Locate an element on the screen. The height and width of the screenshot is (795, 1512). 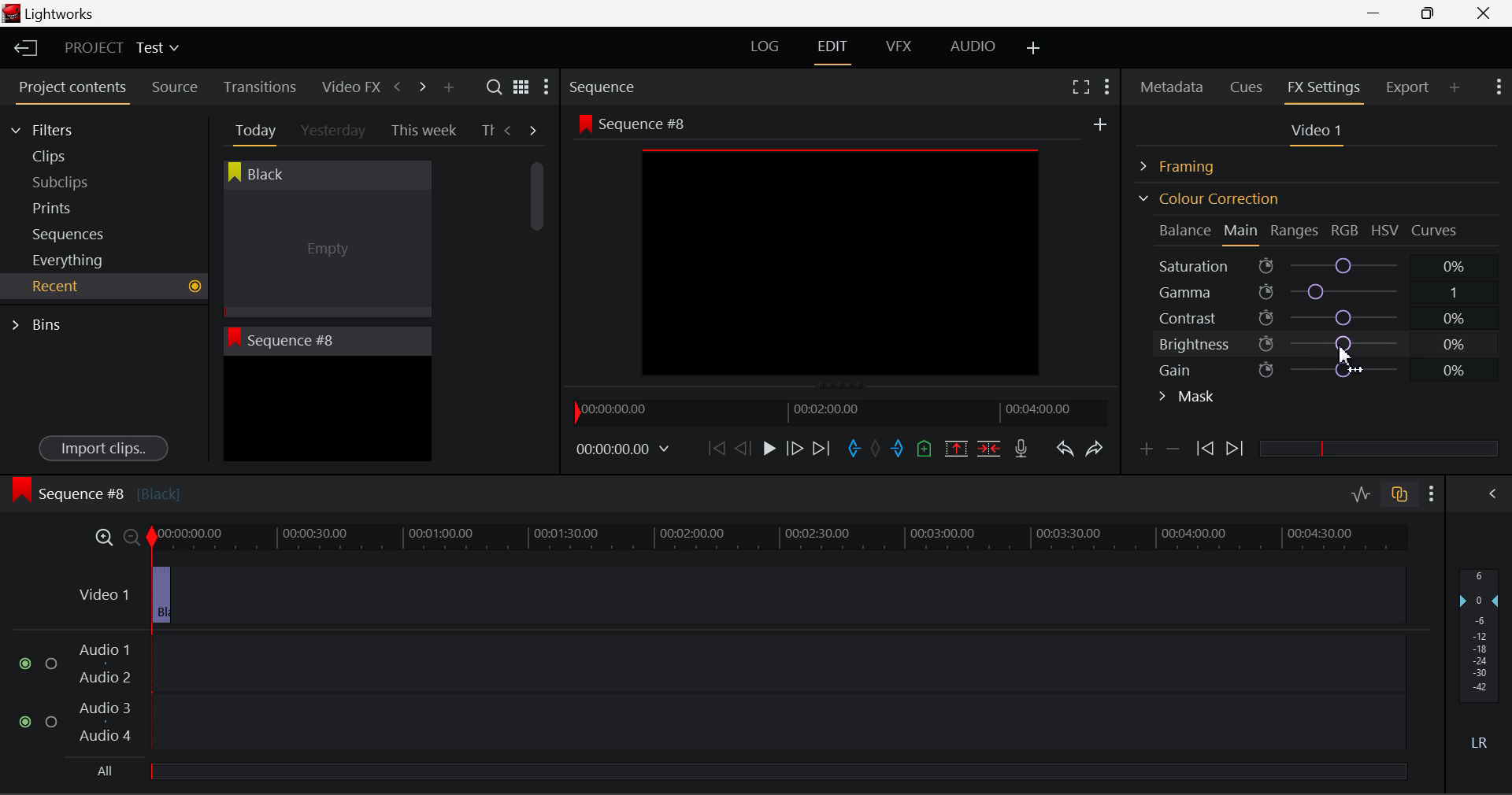
Close is located at coordinates (1487, 13).